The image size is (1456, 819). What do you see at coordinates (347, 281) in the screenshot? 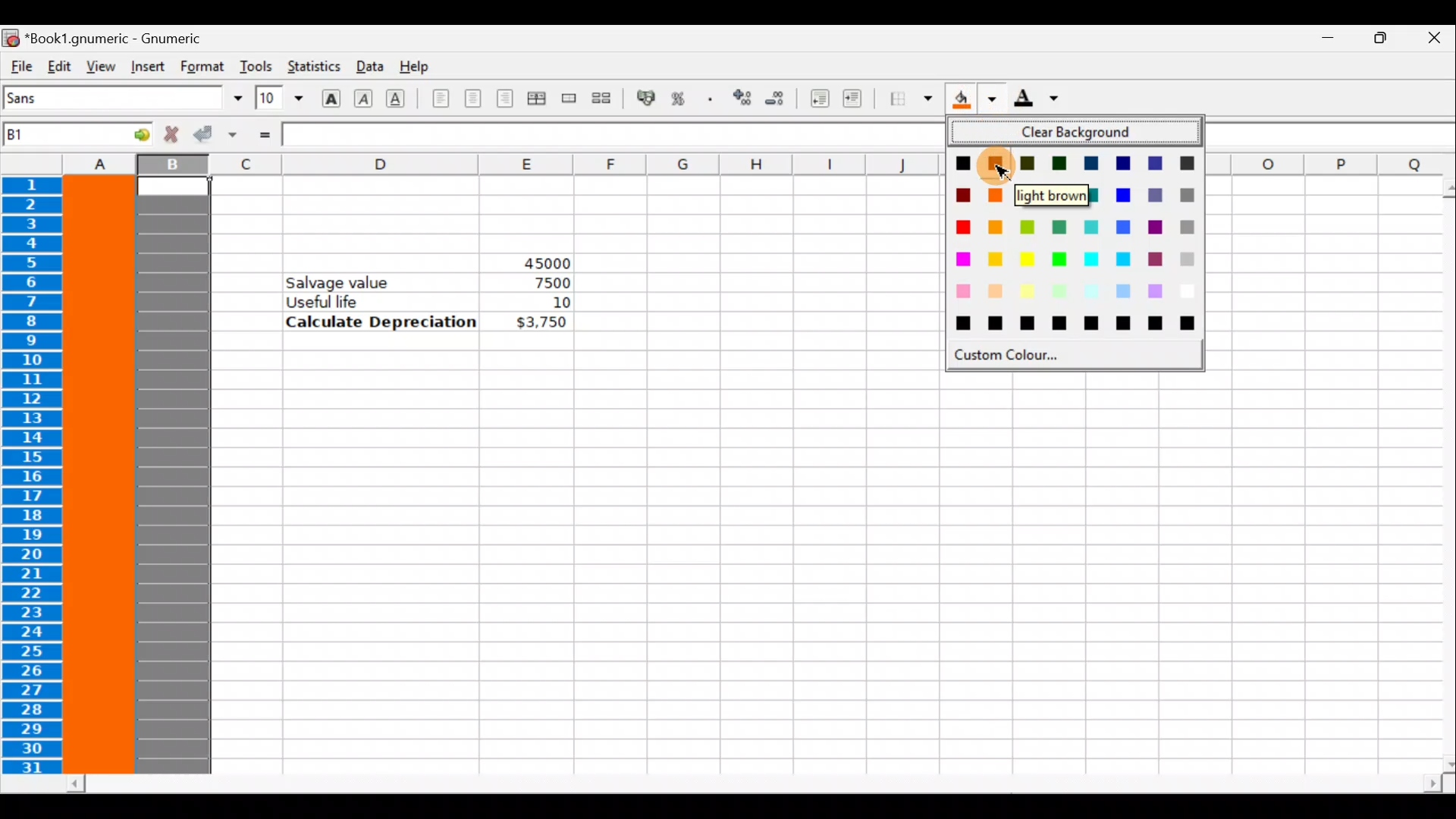
I see `Salvage value` at bounding box center [347, 281].